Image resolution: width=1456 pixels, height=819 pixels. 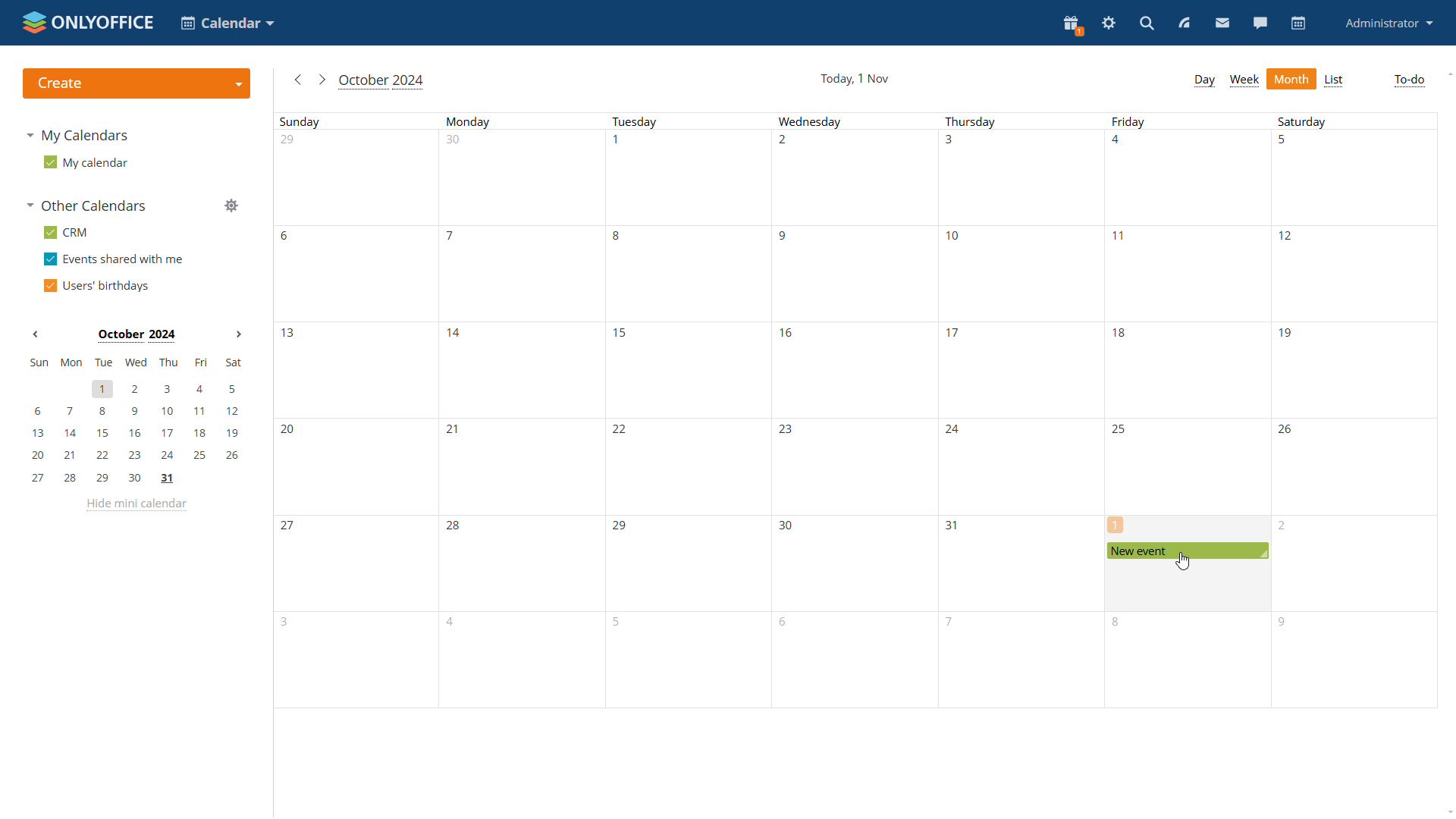 I want to click on scheduled event, so click(x=1186, y=551).